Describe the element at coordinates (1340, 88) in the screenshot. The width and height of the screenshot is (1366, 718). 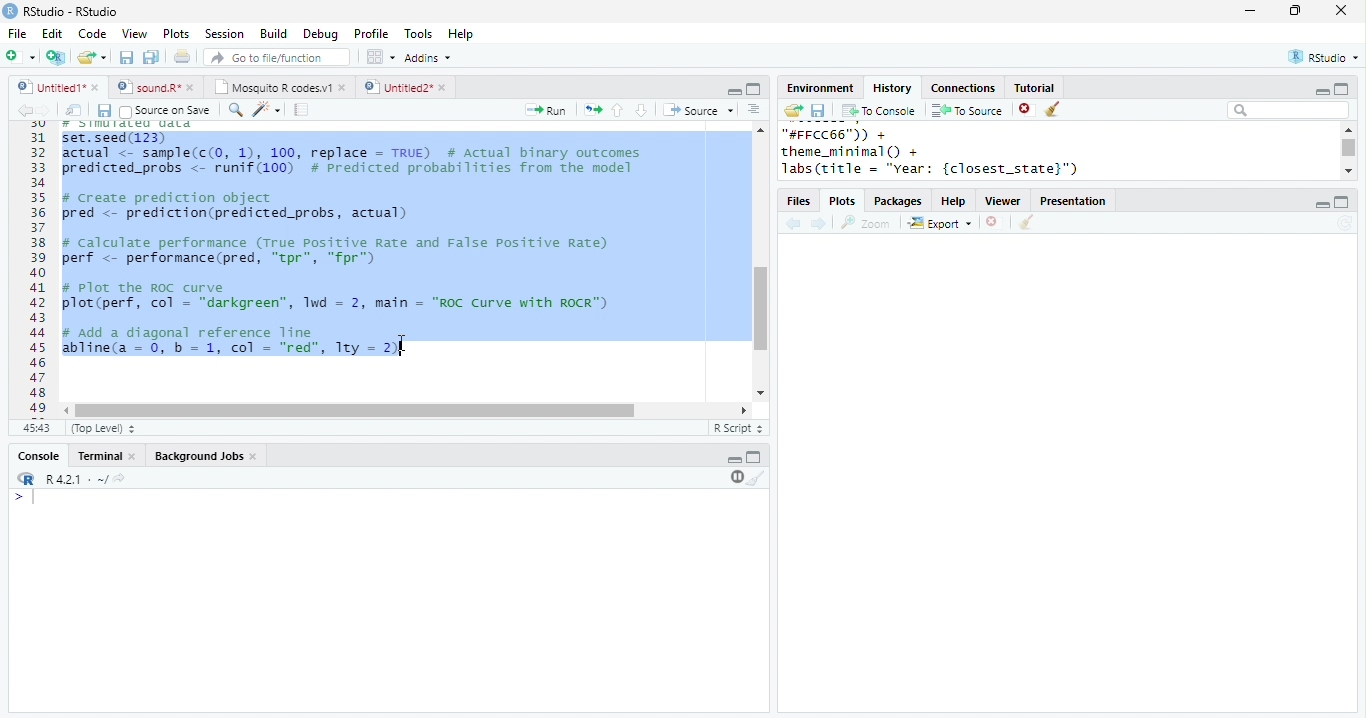
I see `maximize` at that location.